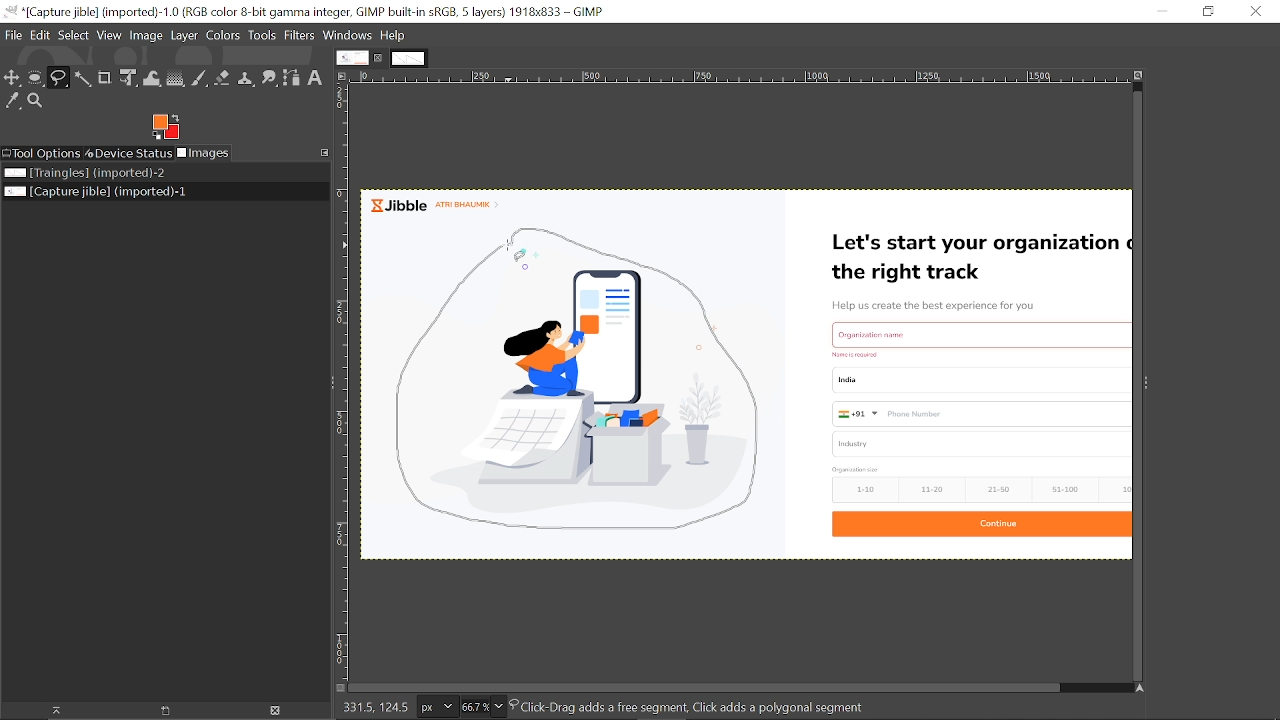 The image size is (1280, 720). What do you see at coordinates (372, 708) in the screenshot?
I see `coordinates` at bounding box center [372, 708].